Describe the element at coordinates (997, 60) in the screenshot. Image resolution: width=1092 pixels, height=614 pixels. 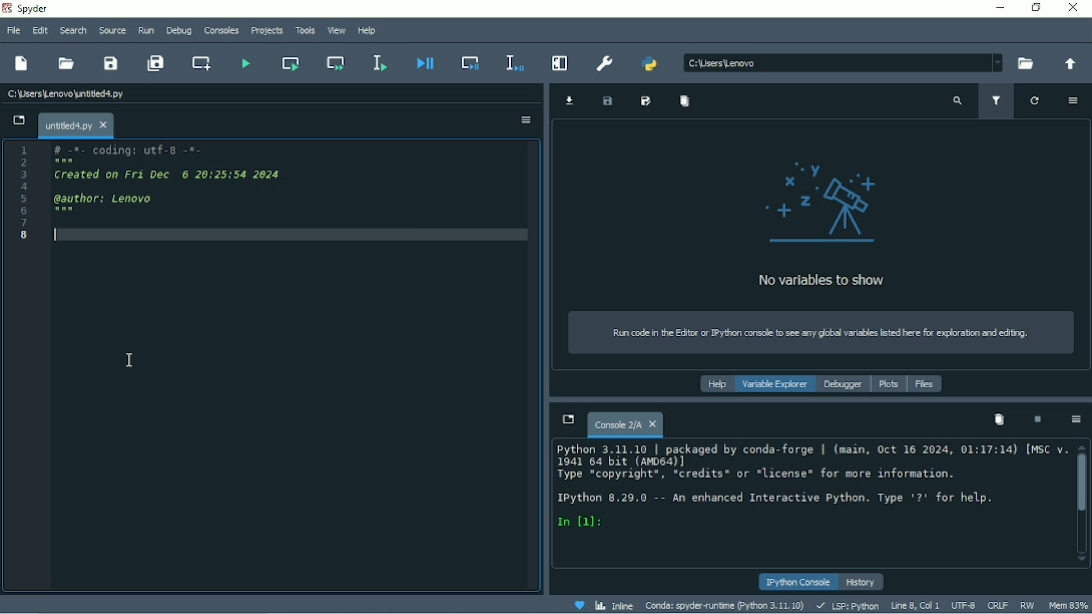
I see `dropdown` at that location.